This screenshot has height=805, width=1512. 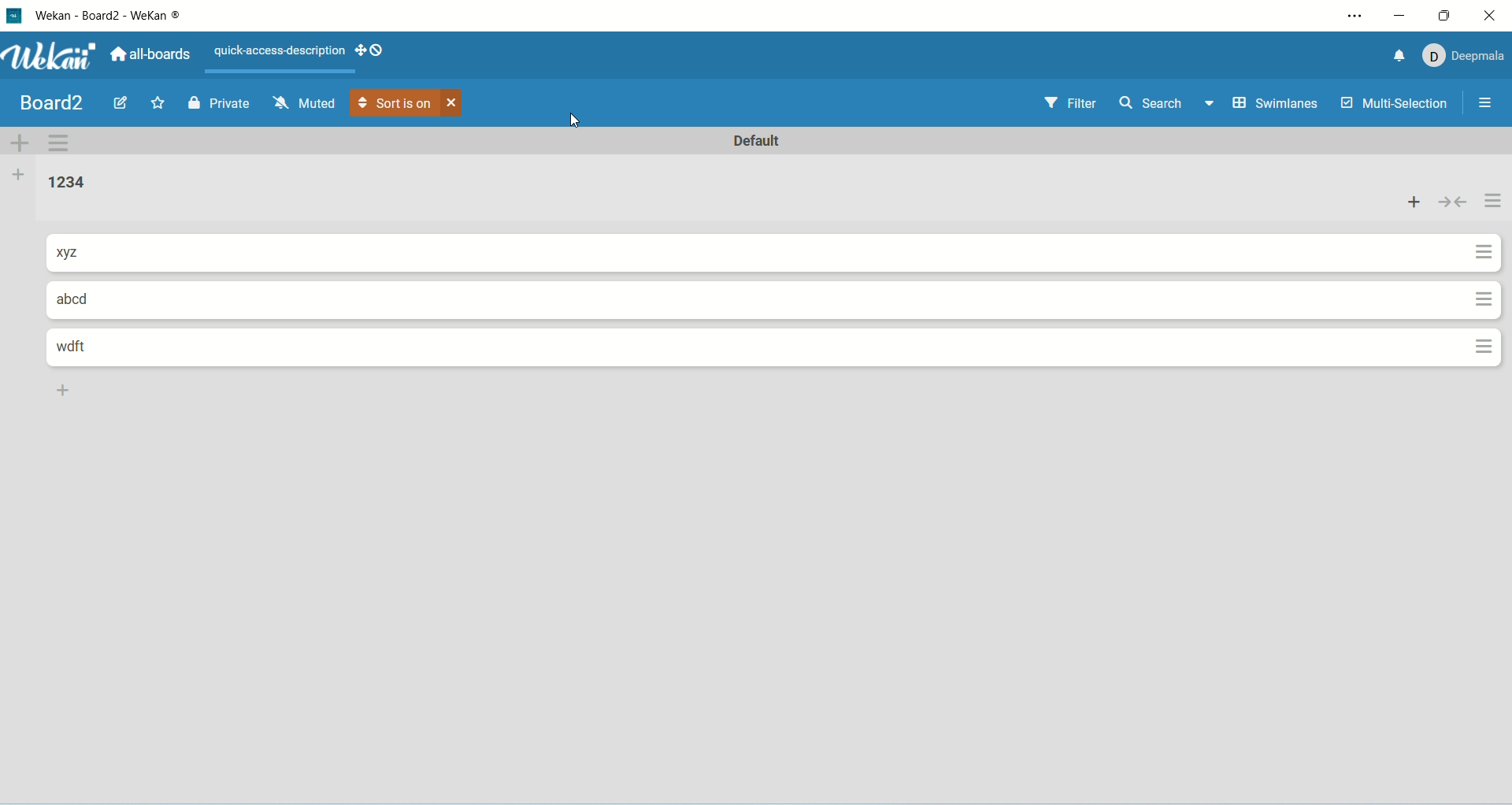 I want to click on card title, so click(x=84, y=349).